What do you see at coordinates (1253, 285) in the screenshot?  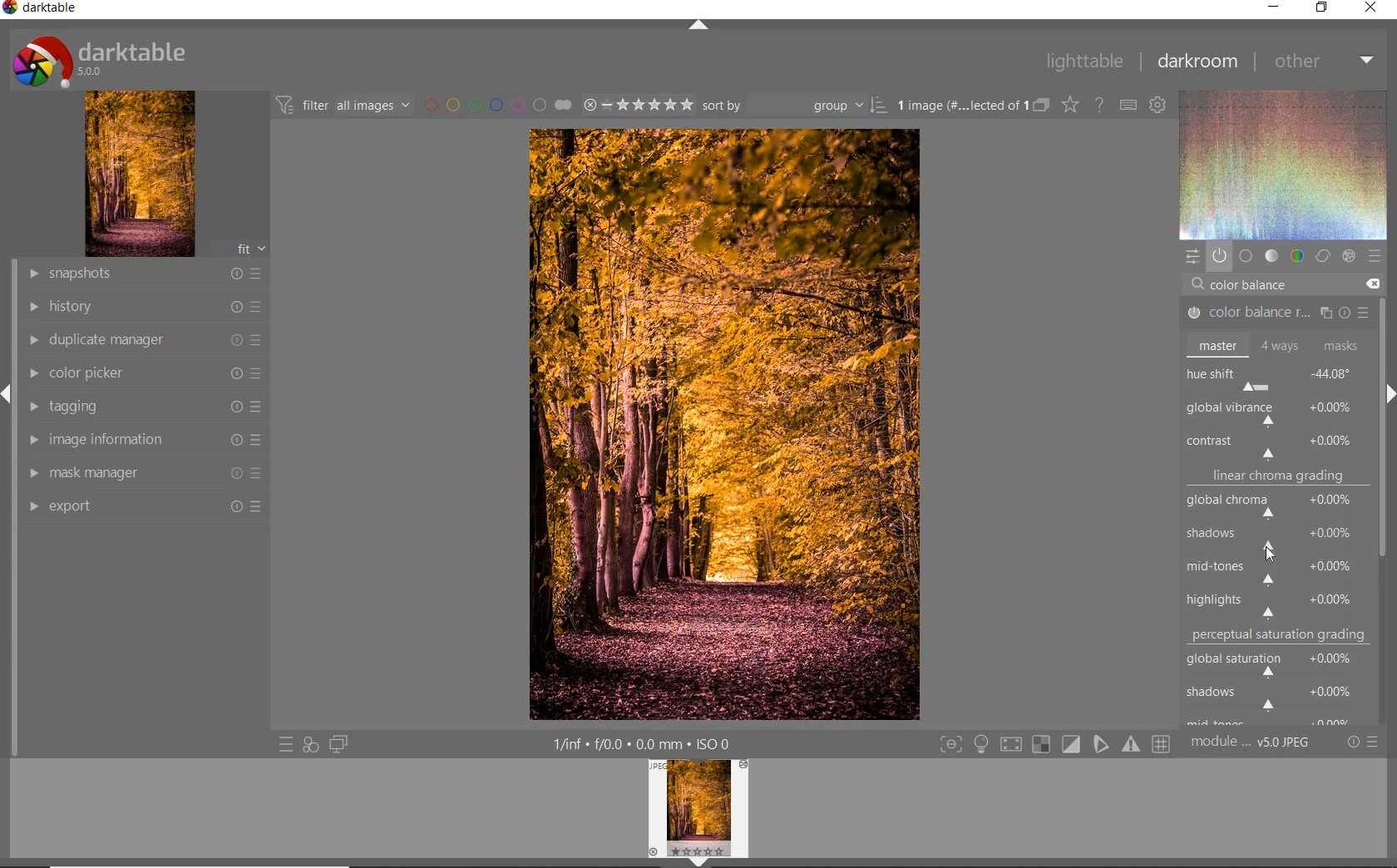 I see `COLOR BALANCE` at bounding box center [1253, 285].